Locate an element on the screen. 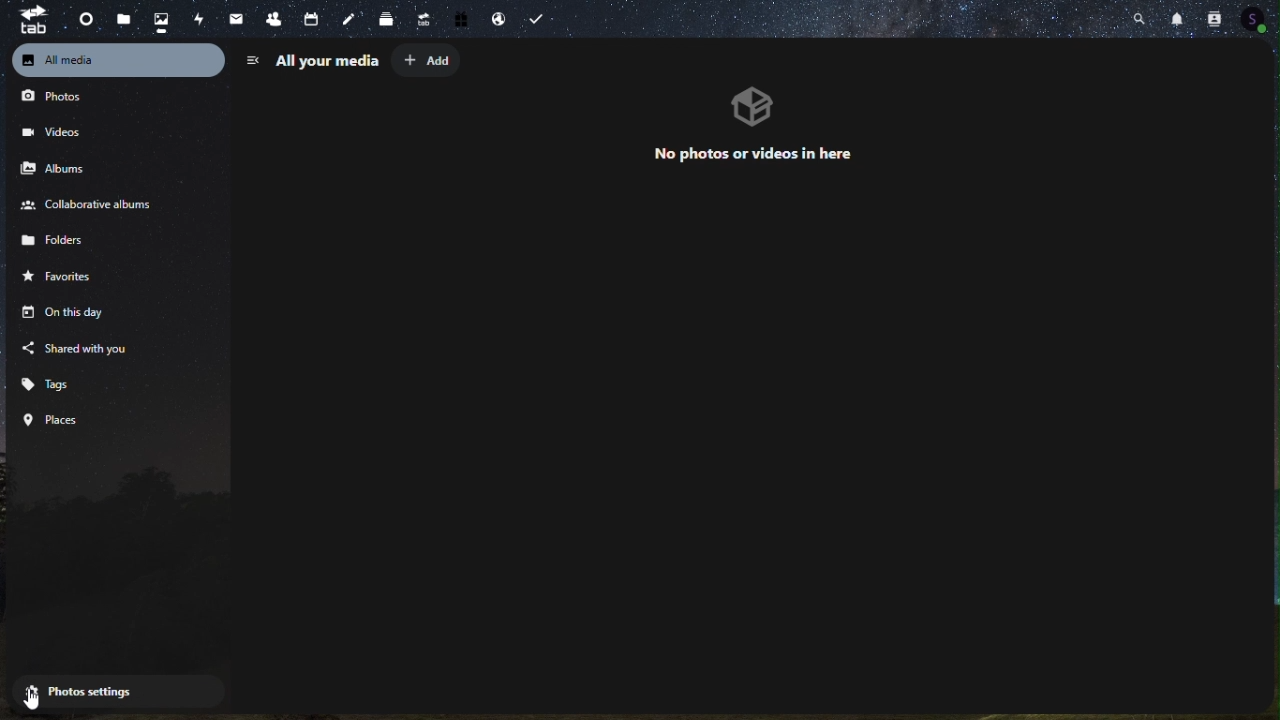 The width and height of the screenshot is (1280, 720). Contacts is located at coordinates (1211, 19).